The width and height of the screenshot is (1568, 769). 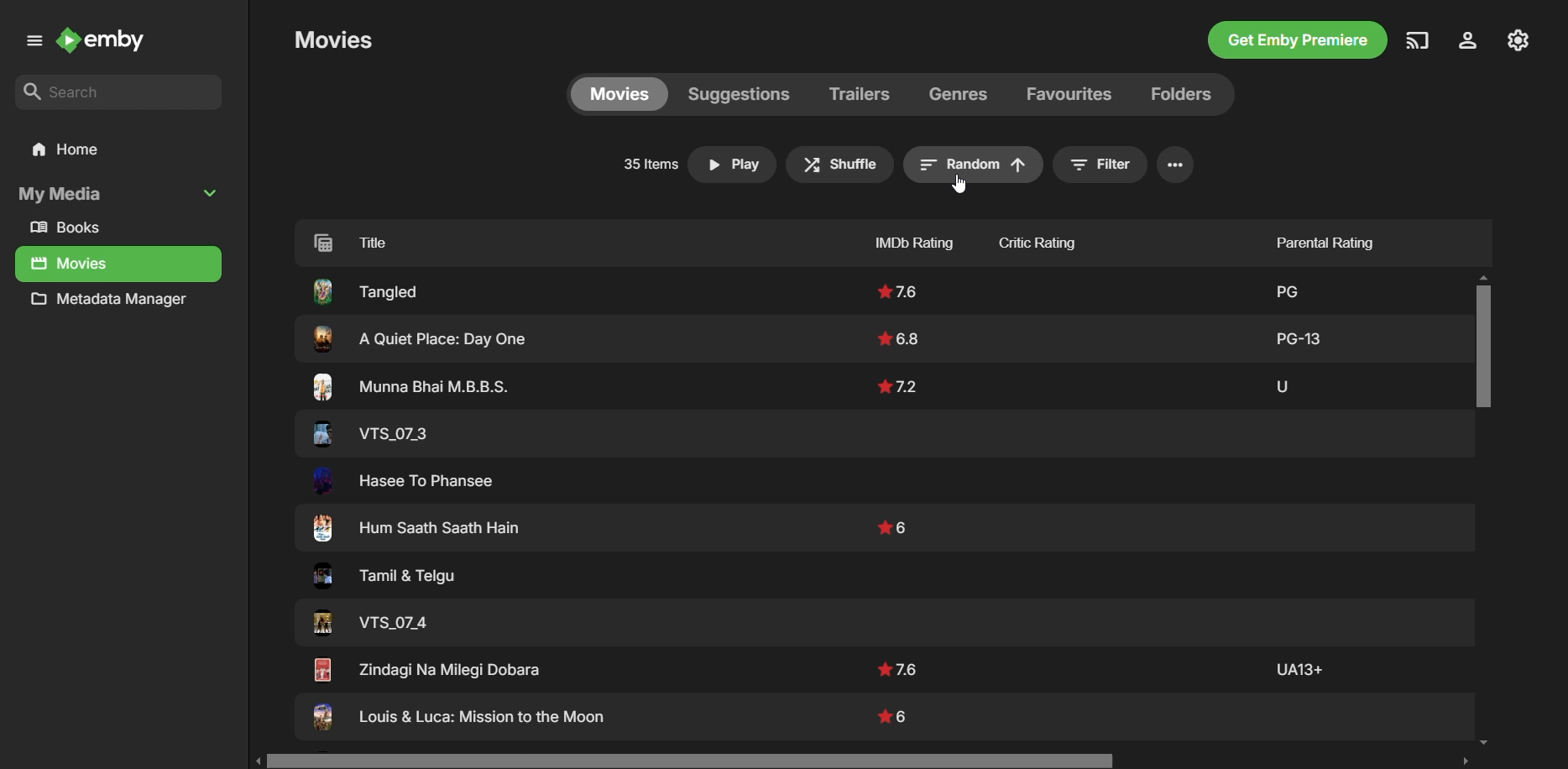 I want to click on Genres, so click(x=962, y=93).